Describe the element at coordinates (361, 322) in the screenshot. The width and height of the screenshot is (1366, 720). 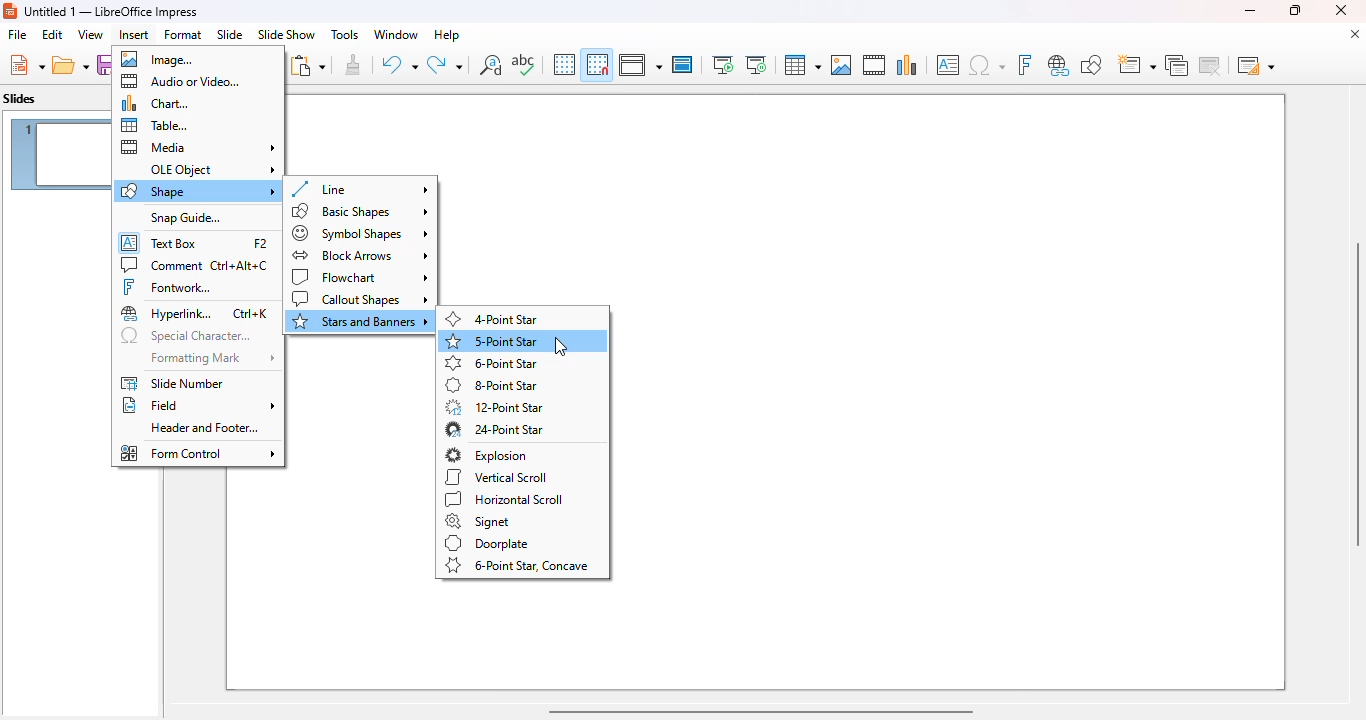
I see `stars and banners` at that location.